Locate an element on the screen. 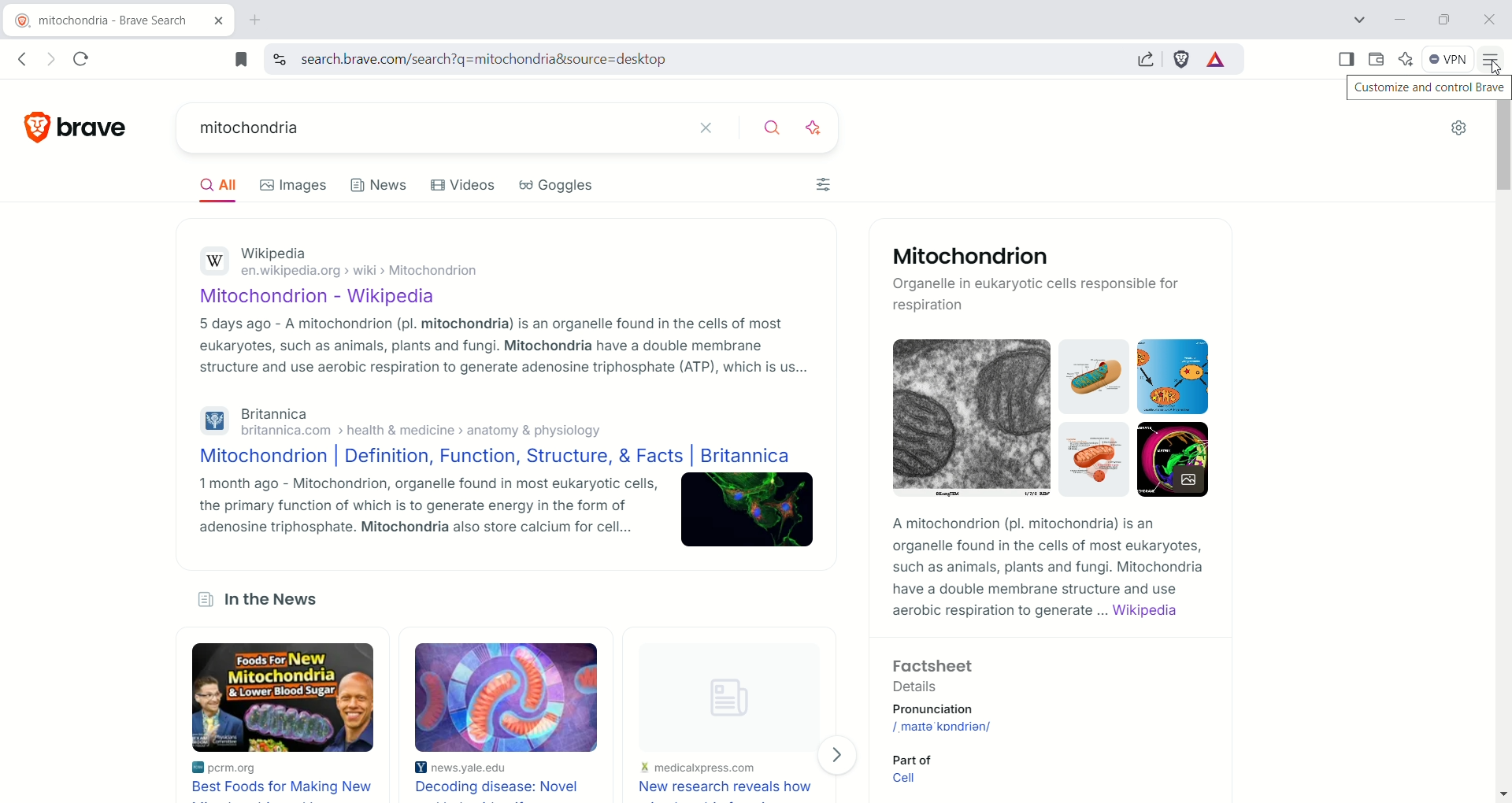  brave logo is located at coordinates (34, 126).